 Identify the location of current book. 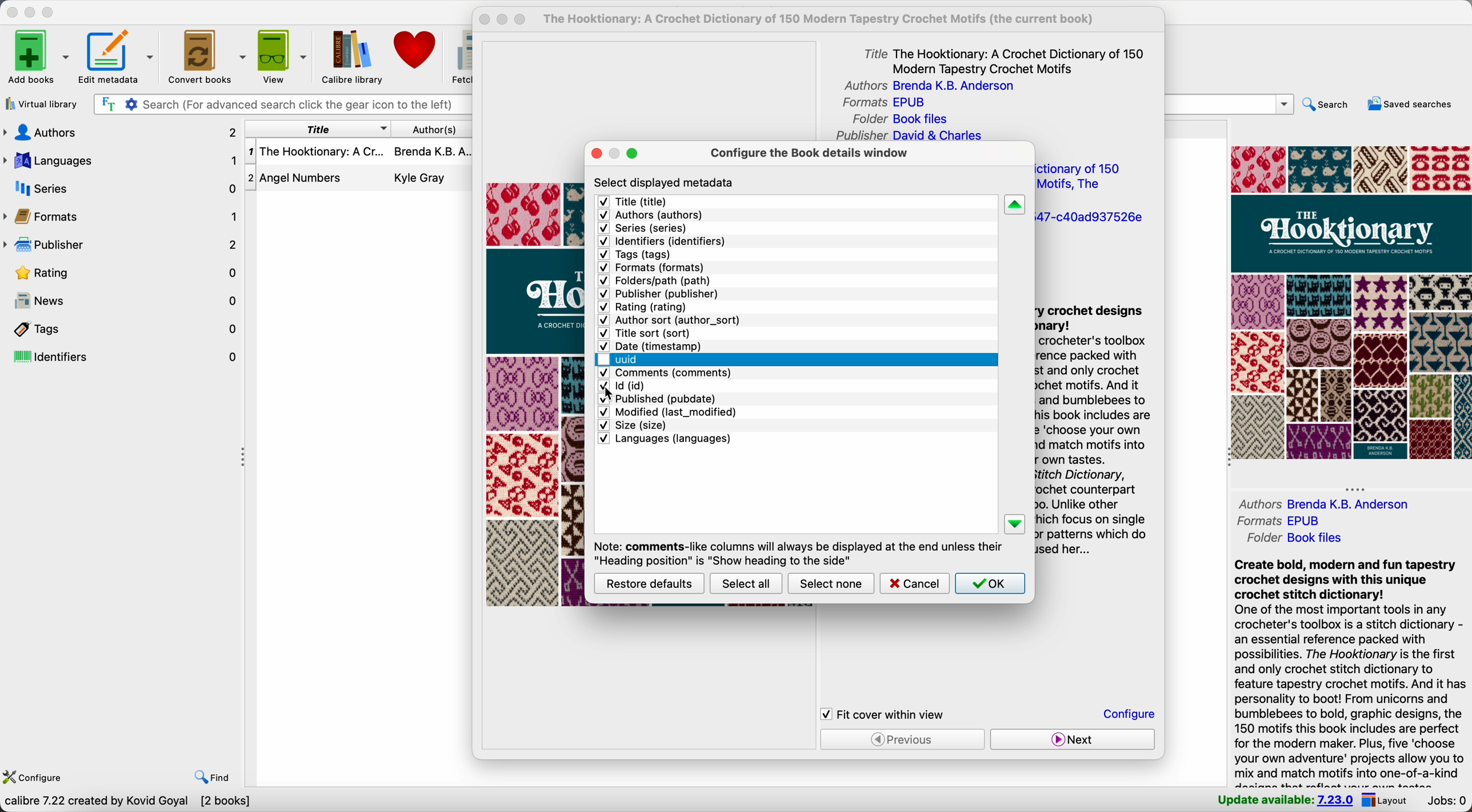
(826, 19).